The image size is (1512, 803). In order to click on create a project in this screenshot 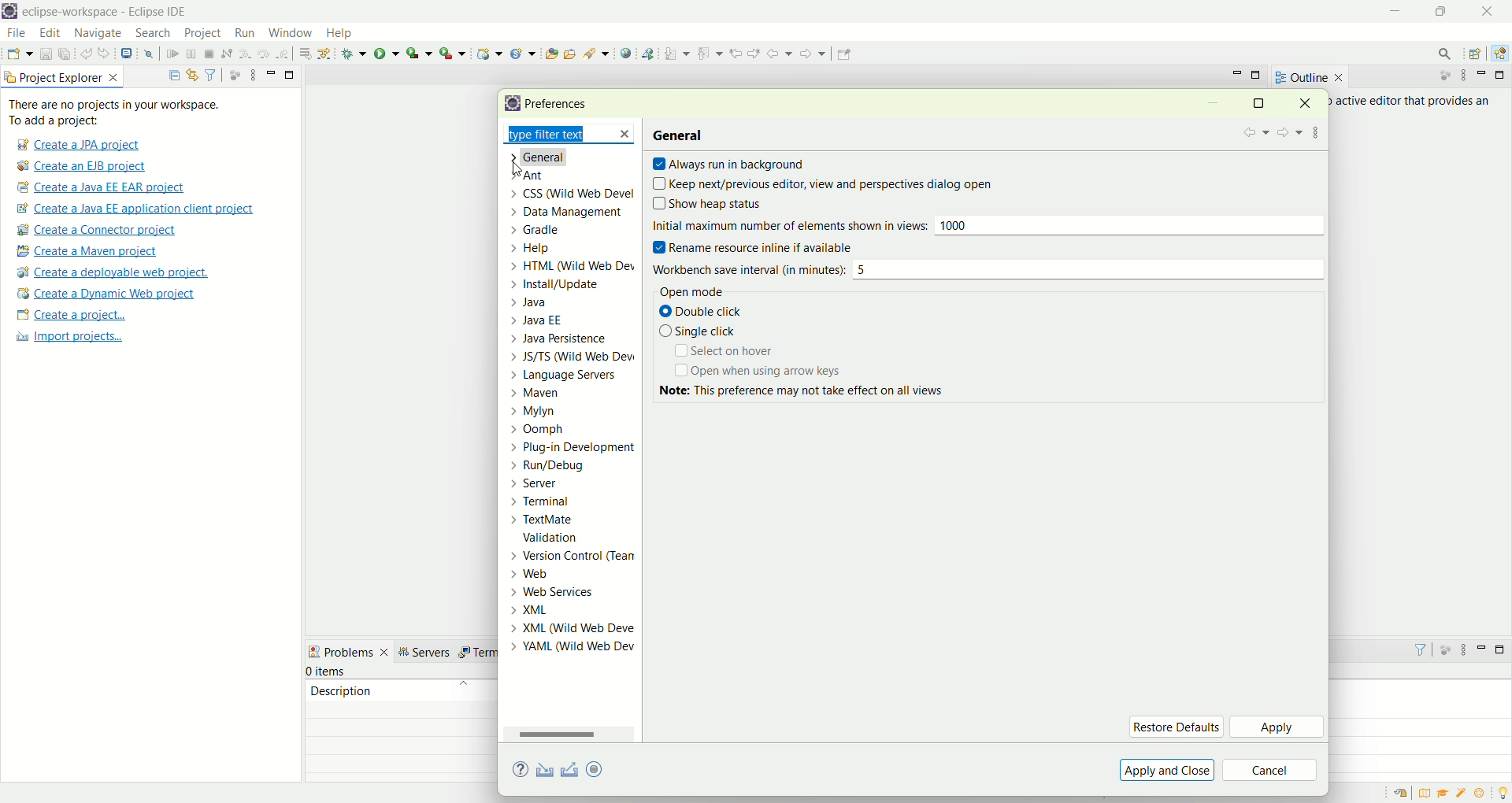, I will do `click(72, 316)`.